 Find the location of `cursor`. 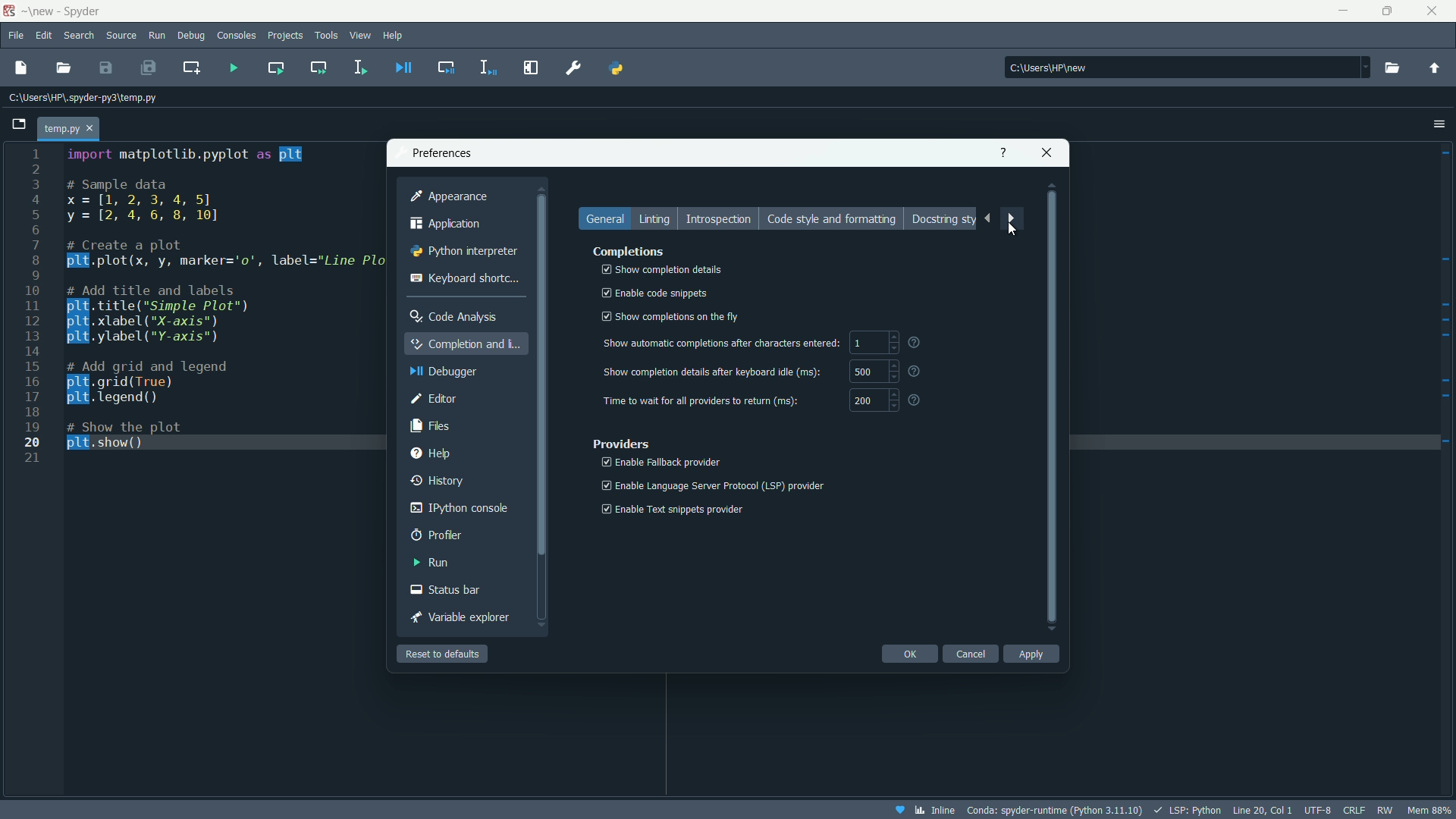

cursor is located at coordinates (1012, 230).